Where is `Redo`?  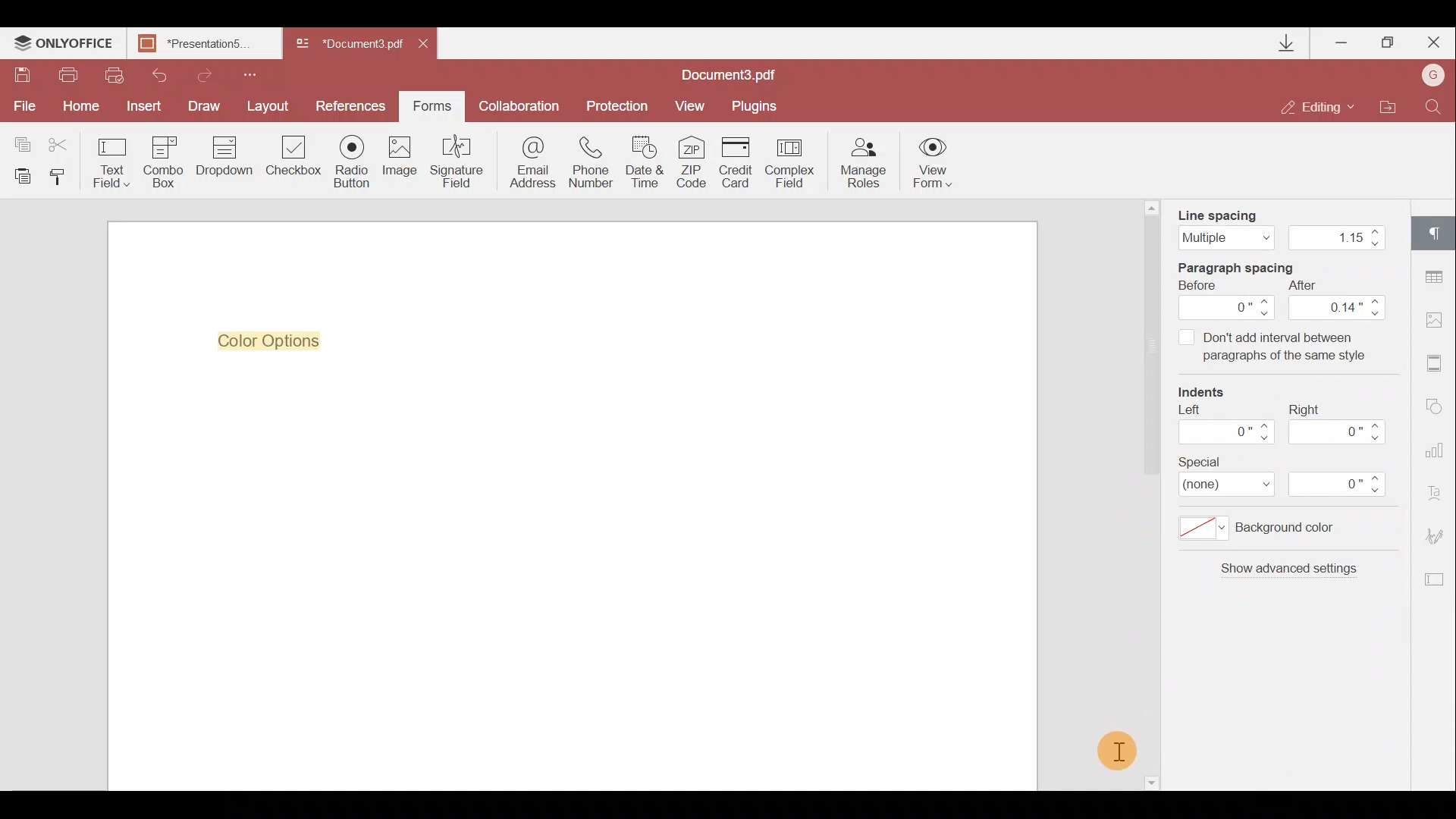
Redo is located at coordinates (206, 74).